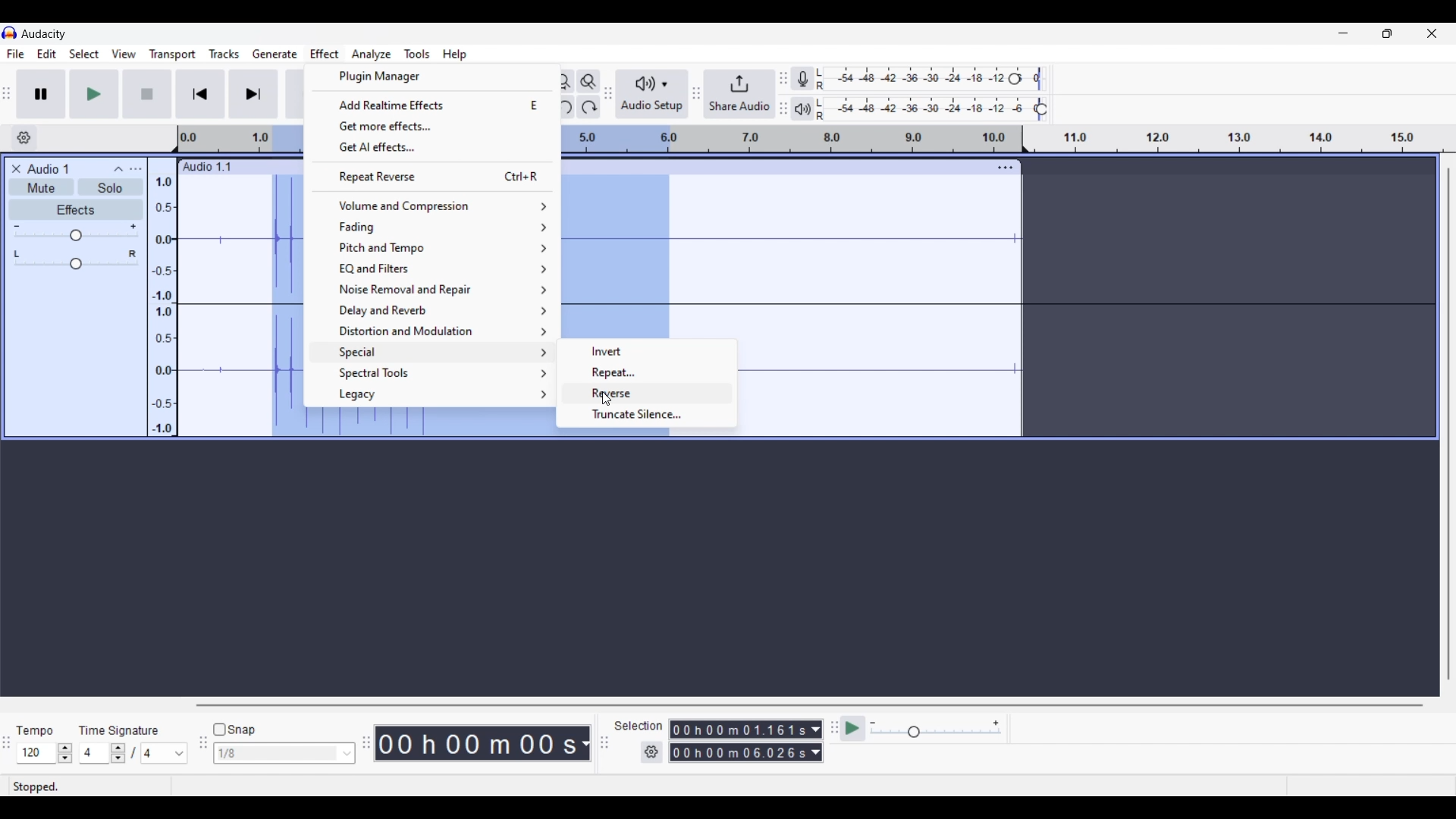  I want to click on Increase/Decrease time signature, so click(118, 753).